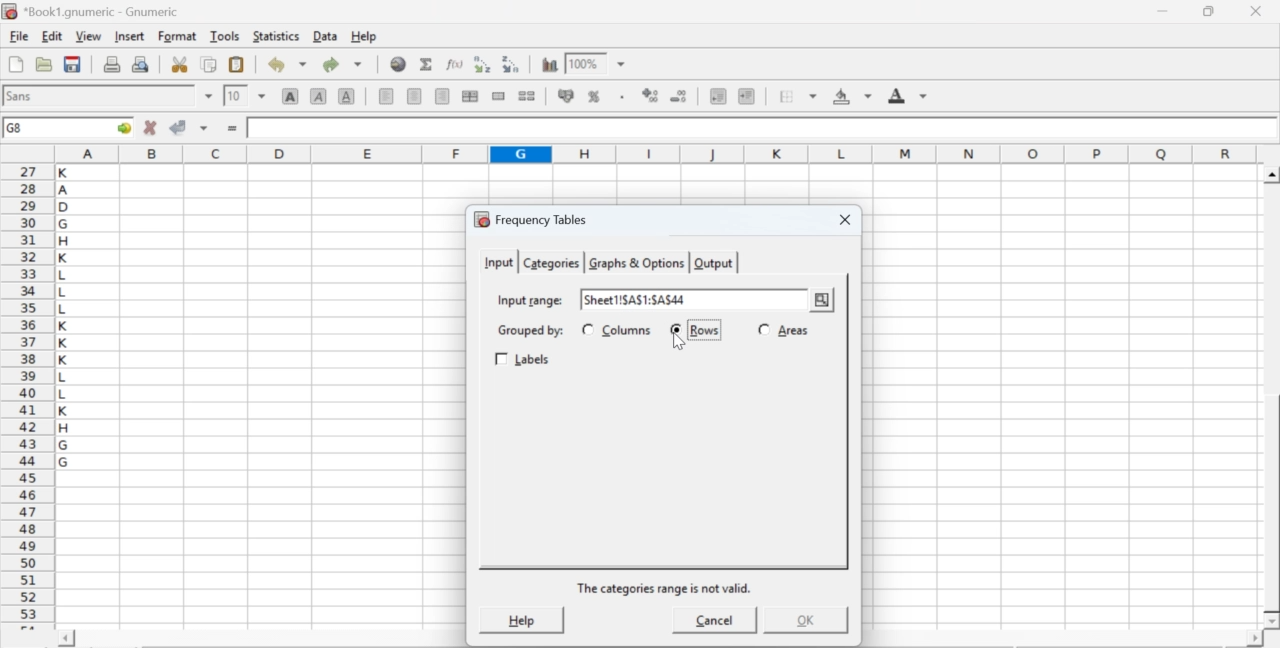 This screenshot has height=648, width=1280. Describe the element at coordinates (550, 263) in the screenshot. I see `categories` at that location.